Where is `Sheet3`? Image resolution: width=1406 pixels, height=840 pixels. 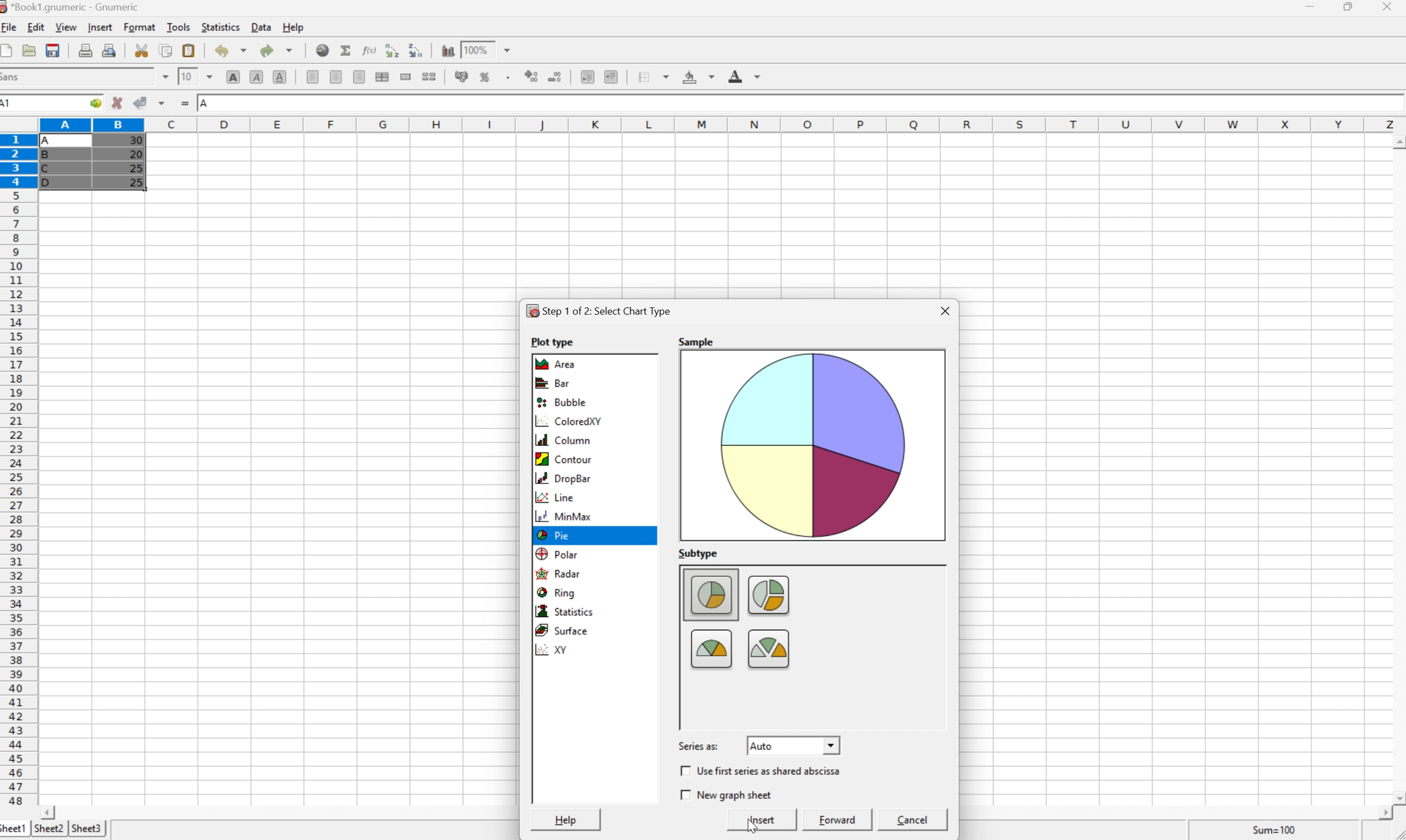
Sheet3 is located at coordinates (88, 827).